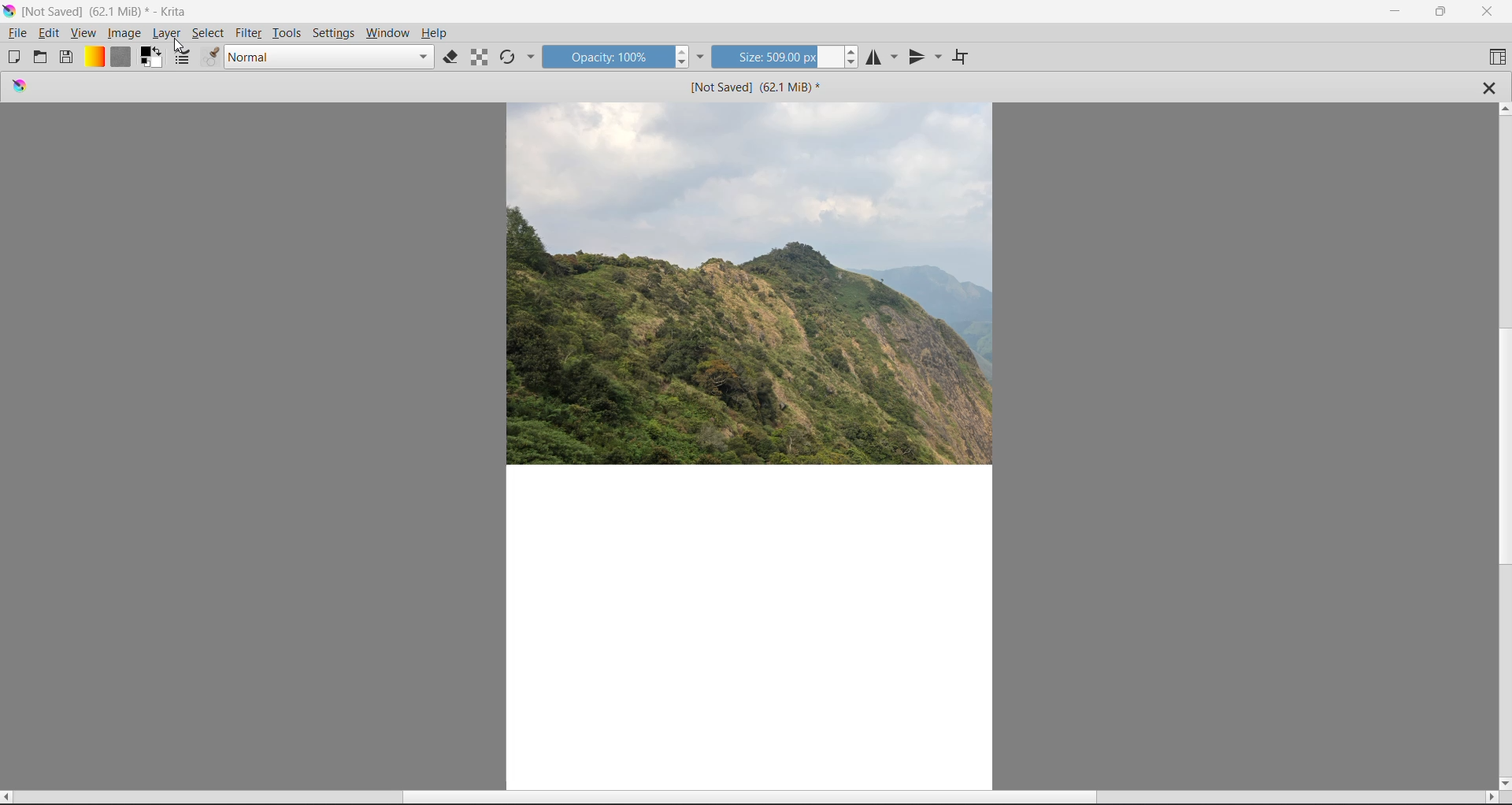  What do you see at coordinates (20, 88) in the screenshot?
I see `logo` at bounding box center [20, 88].